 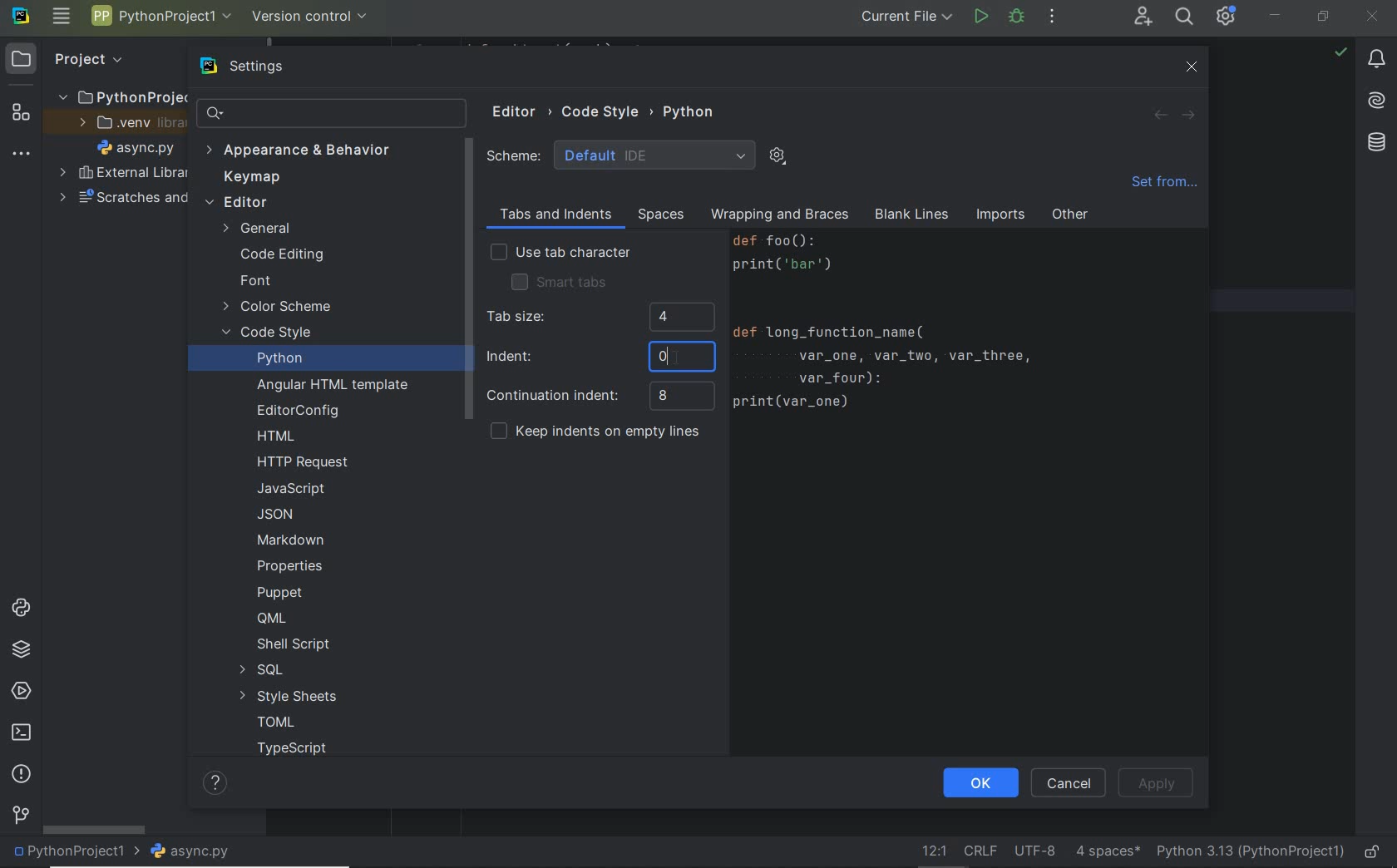 What do you see at coordinates (159, 18) in the screenshot?
I see `Project name` at bounding box center [159, 18].